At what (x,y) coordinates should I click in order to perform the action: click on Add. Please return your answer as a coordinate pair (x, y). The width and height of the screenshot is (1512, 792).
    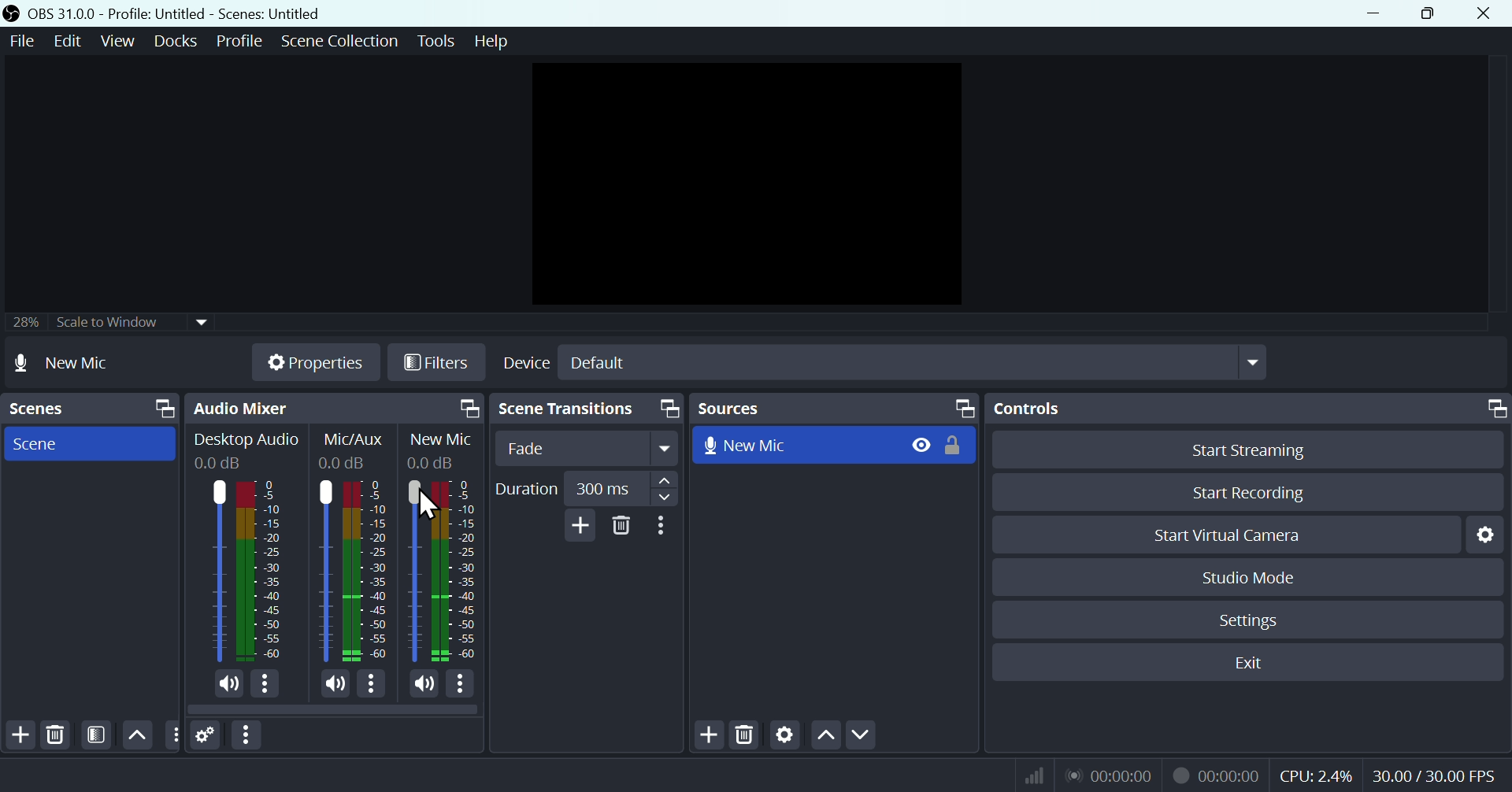
    Looking at the image, I should click on (711, 736).